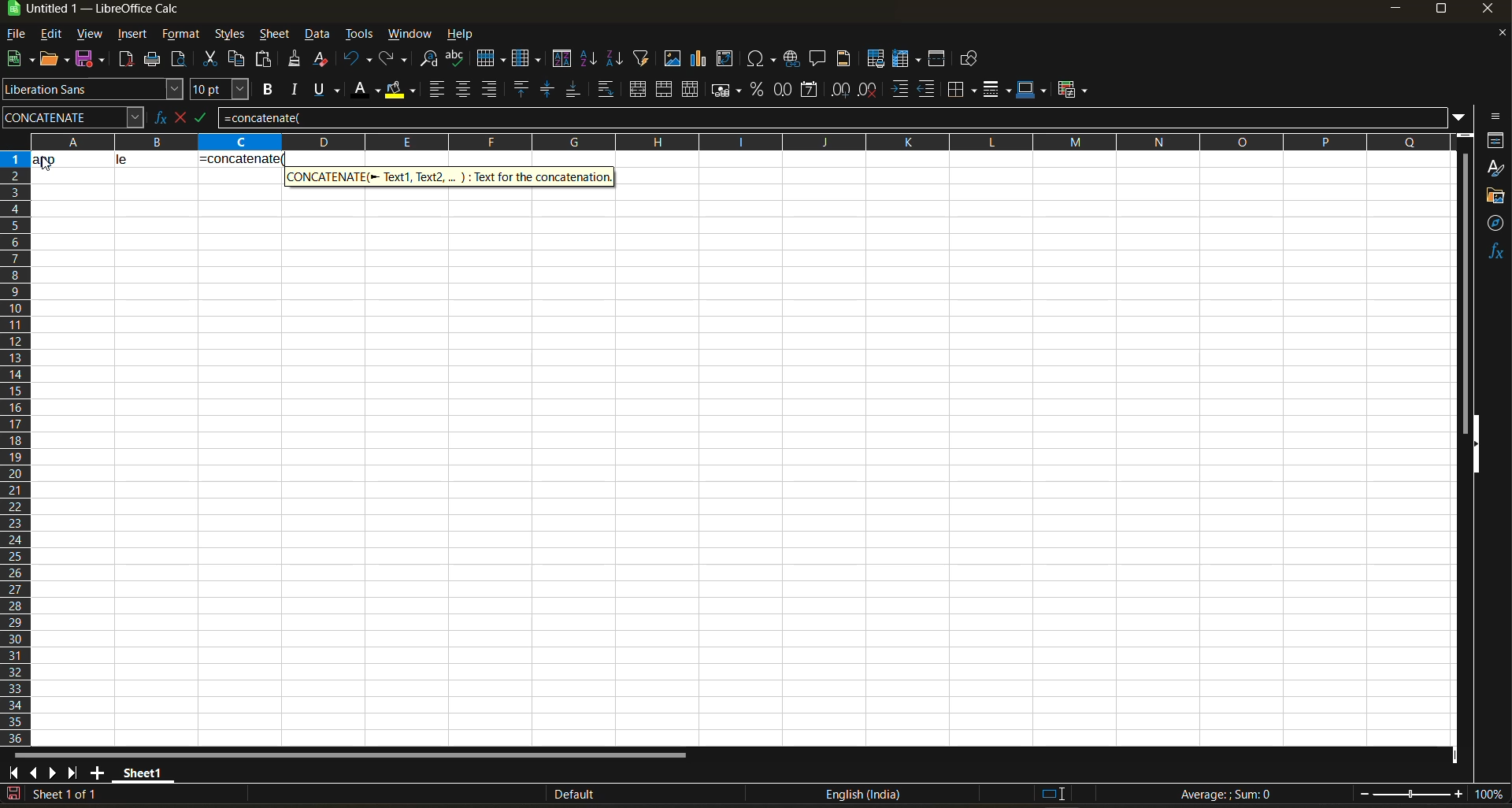 Image resolution: width=1512 pixels, height=808 pixels. What do you see at coordinates (726, 60) in the screenshot?
I see `insert or edit pivot table` at bounding box center [726, 60].